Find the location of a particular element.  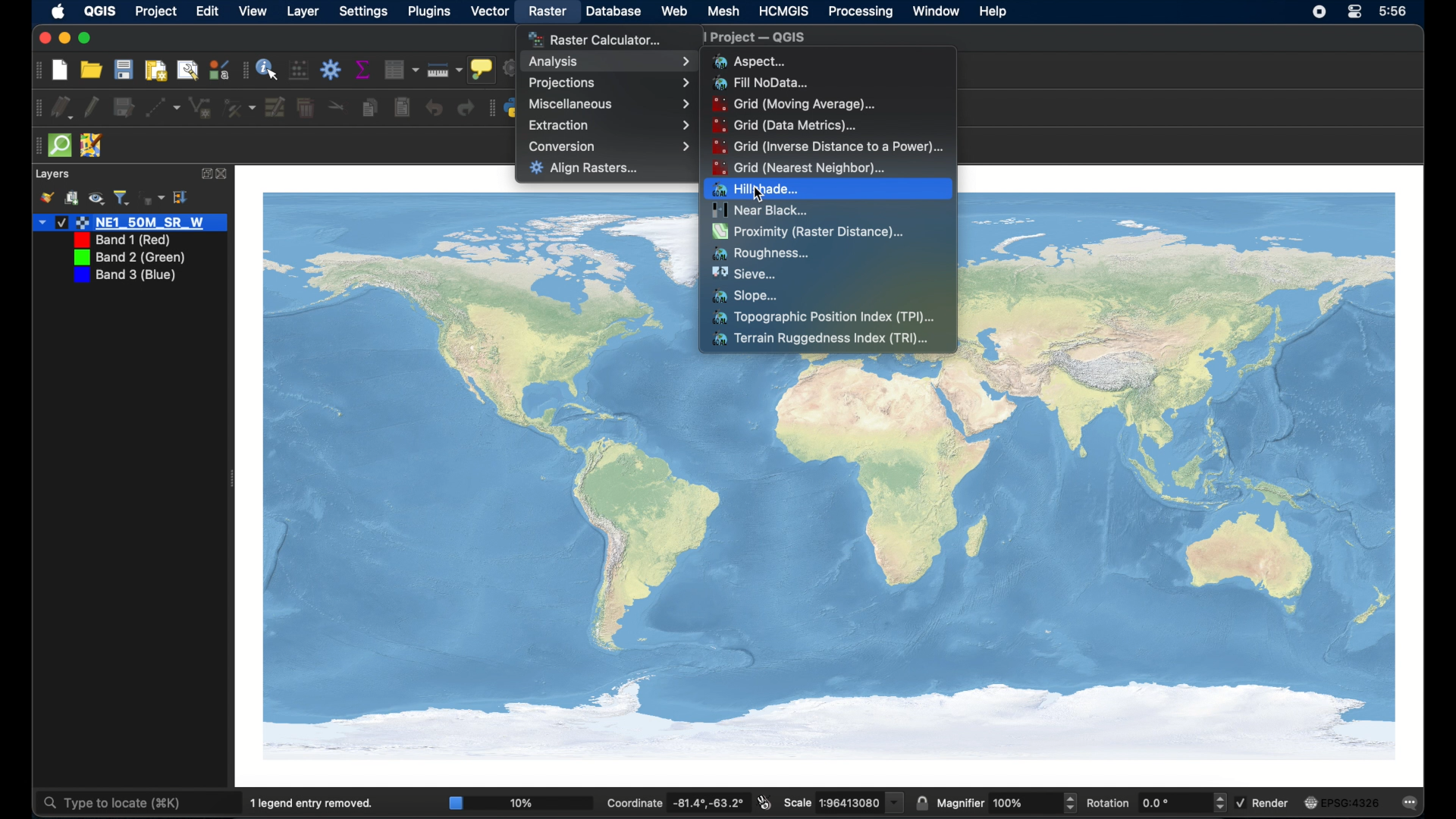

topographic position index is located at coordinates (823, 318).